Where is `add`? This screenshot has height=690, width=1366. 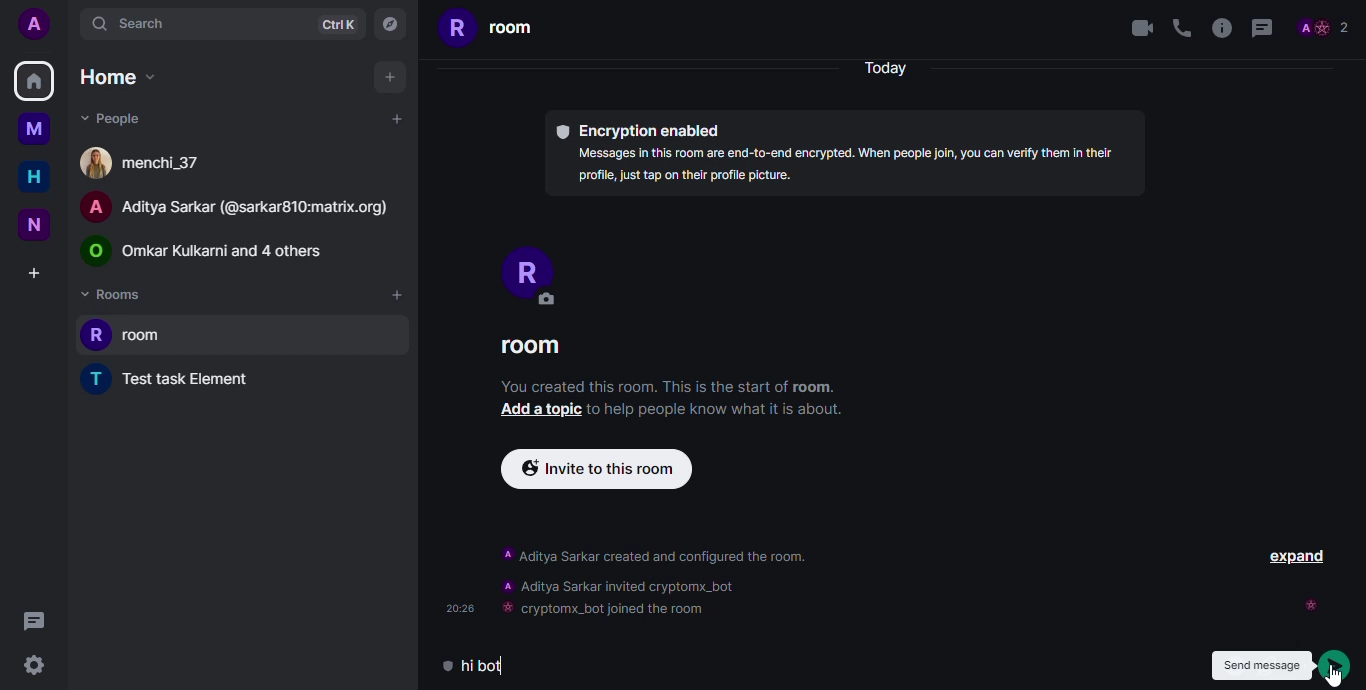
add is located at coordinates (390, 78).